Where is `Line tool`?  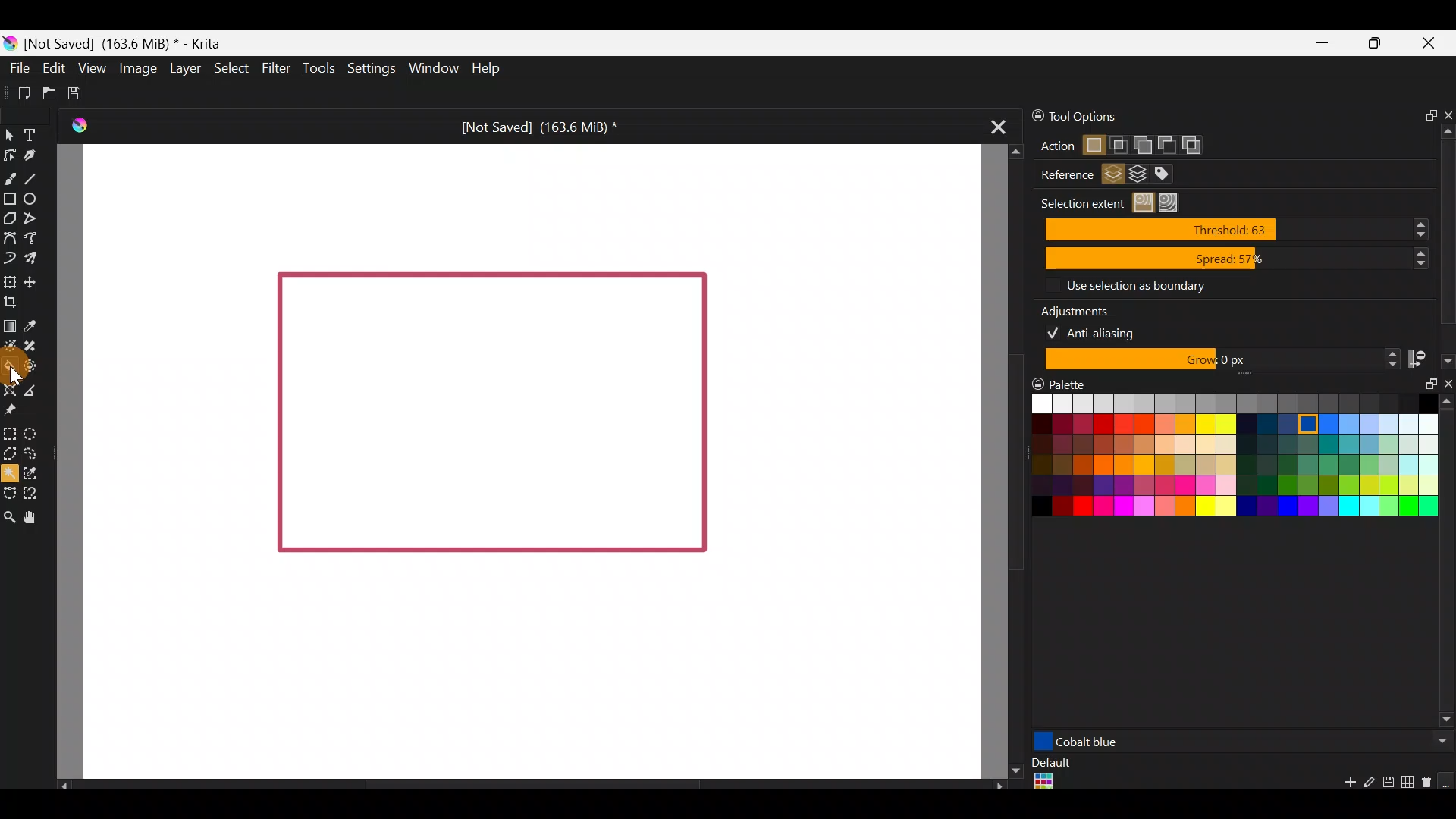
Line tool is located at coordinates (36, 174).